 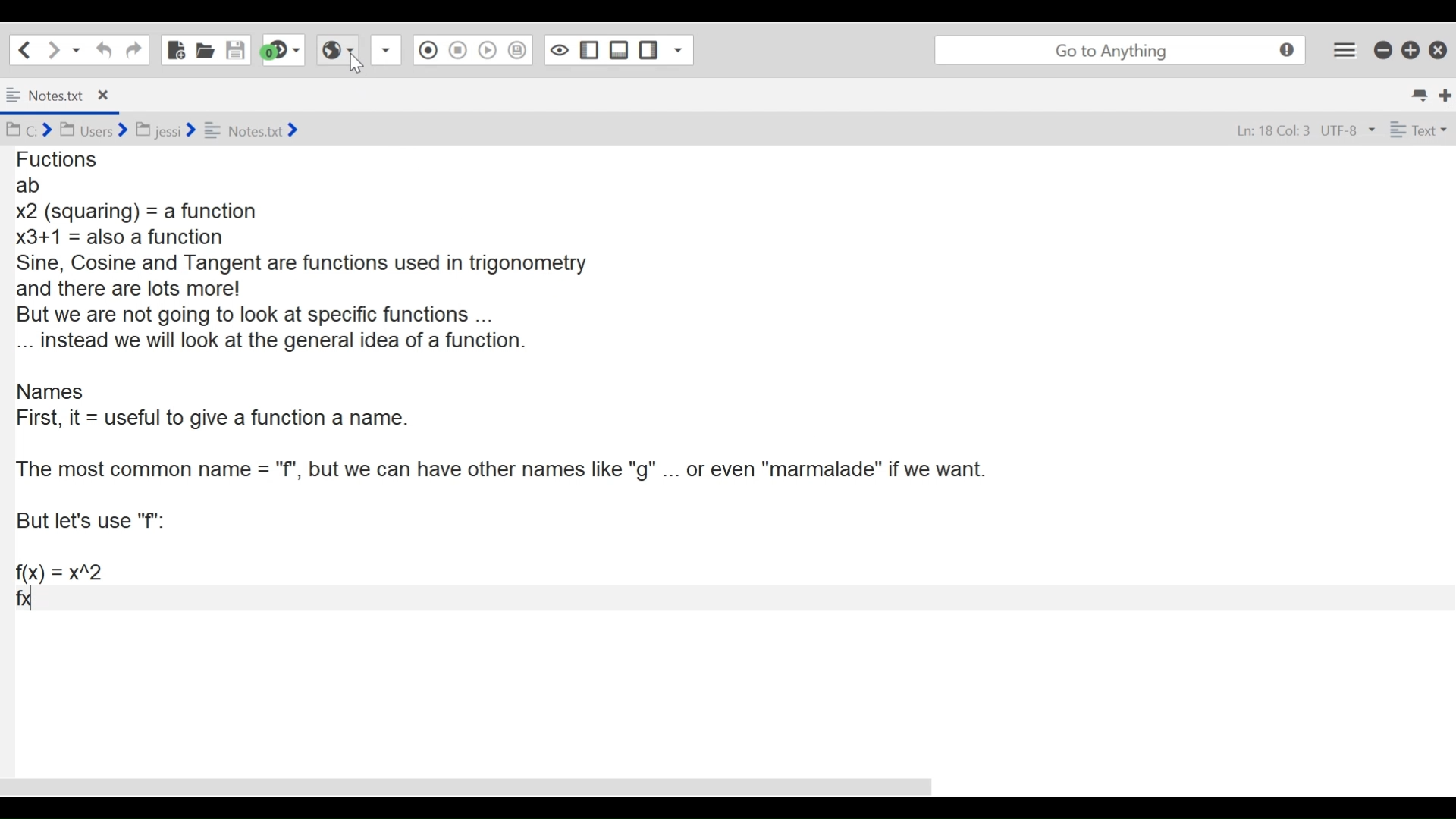 I want to click on horizontal scroll bar, so click(x=475, y=787).